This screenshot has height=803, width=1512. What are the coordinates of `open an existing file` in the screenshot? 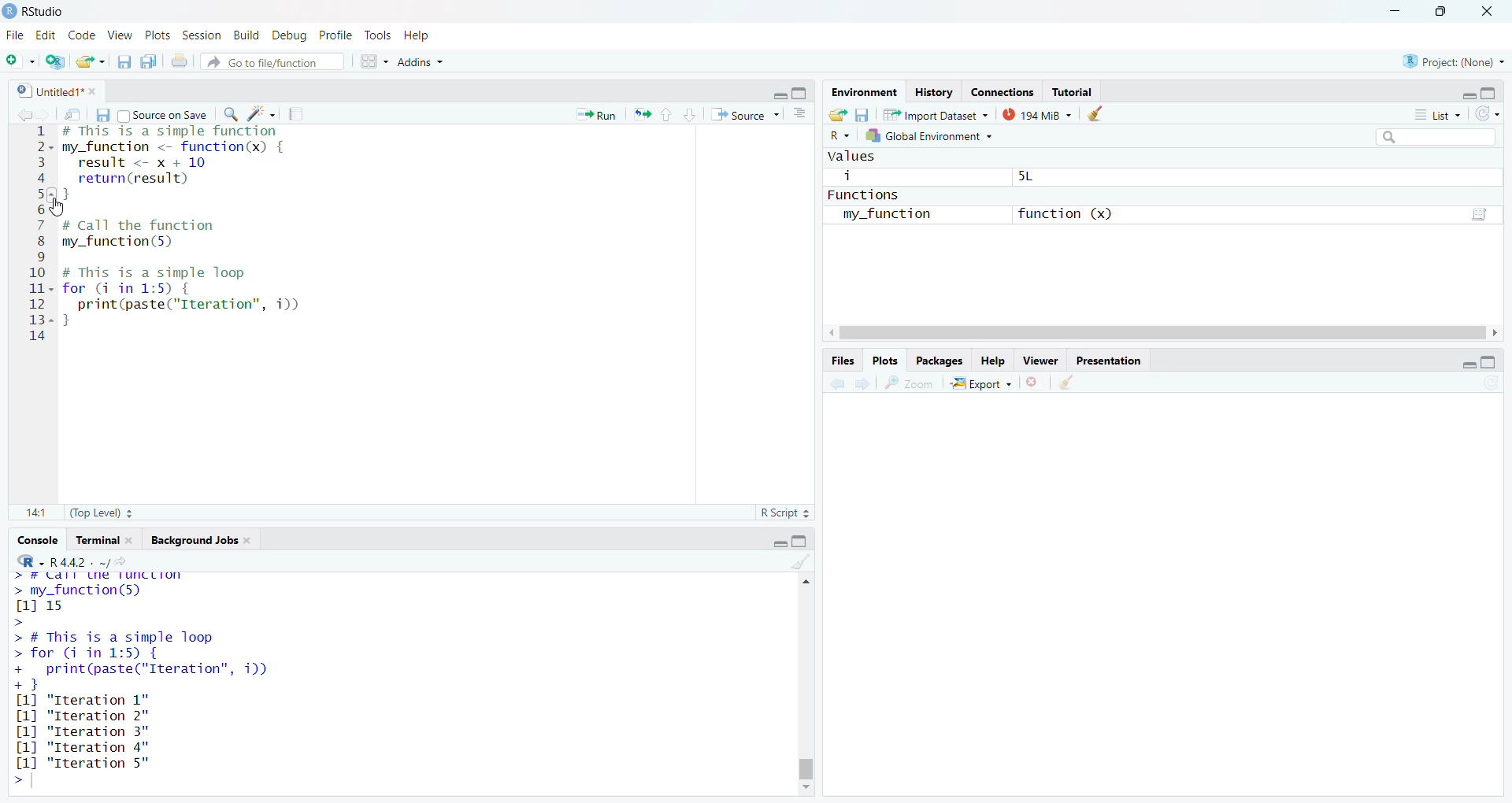 It's located at (91, 60).